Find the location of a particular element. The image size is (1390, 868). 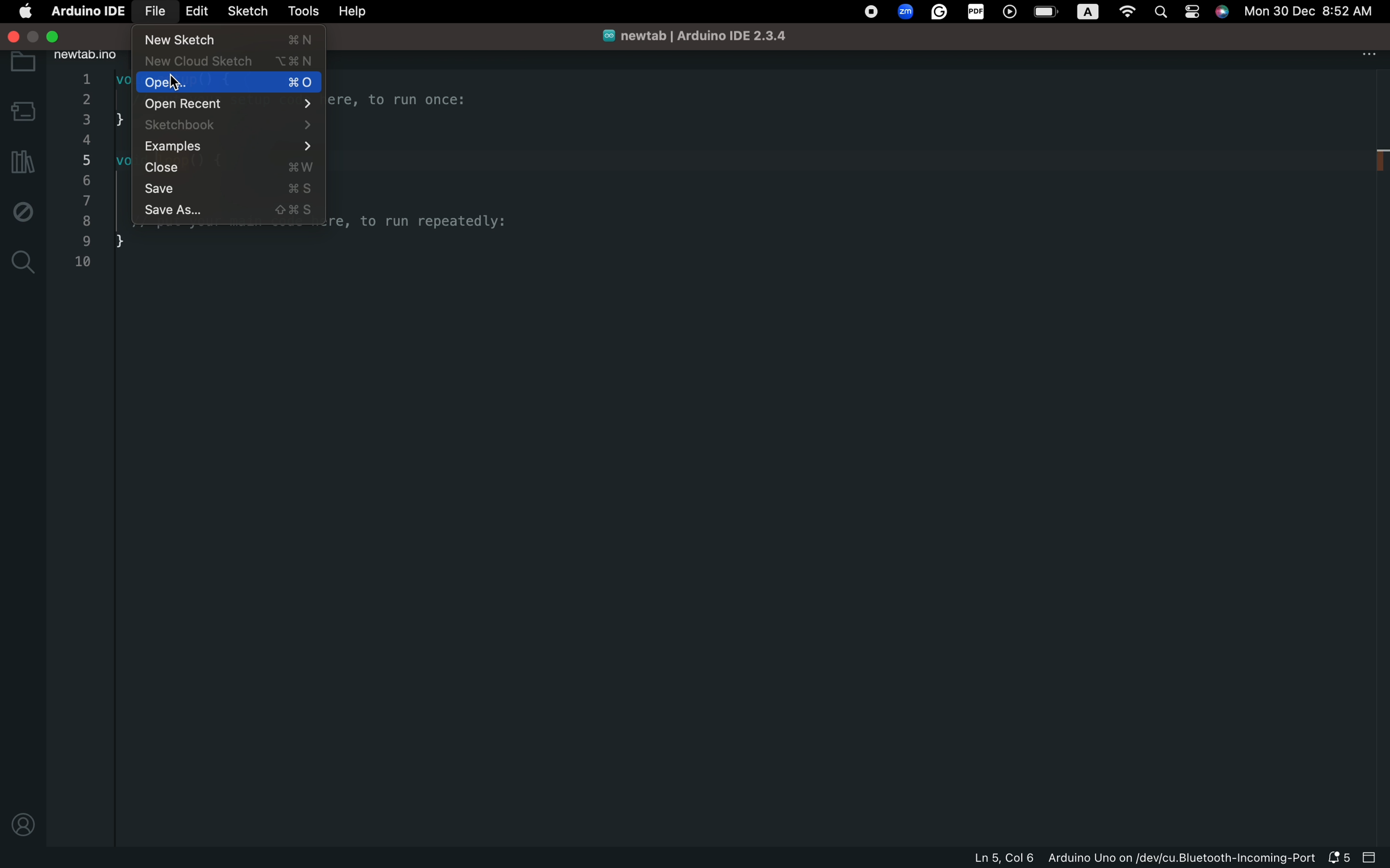

a logo is located at coordinates (1088, 12).